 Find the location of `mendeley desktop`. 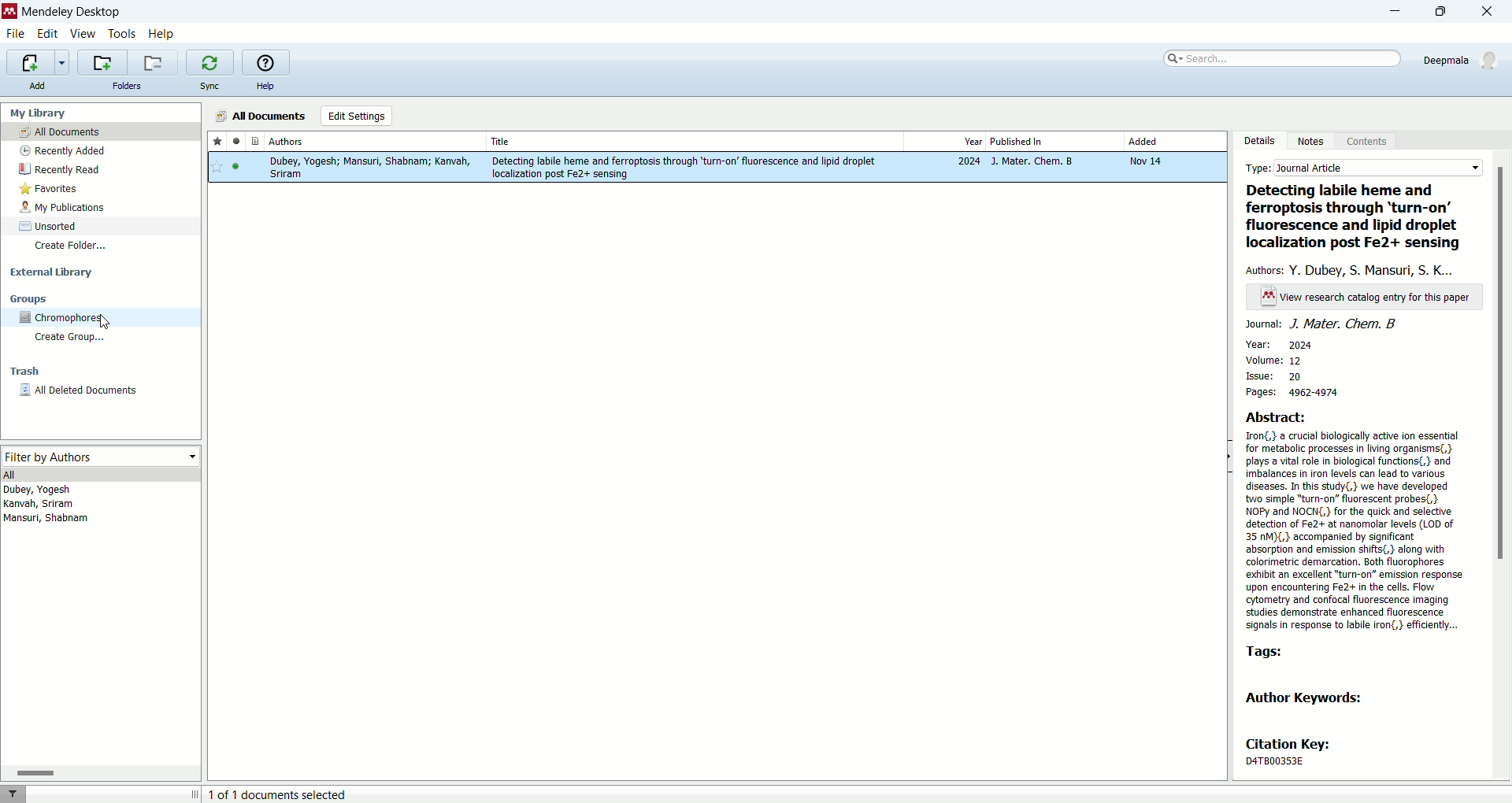

mendeley desktop is located at coordinates (70, 12).